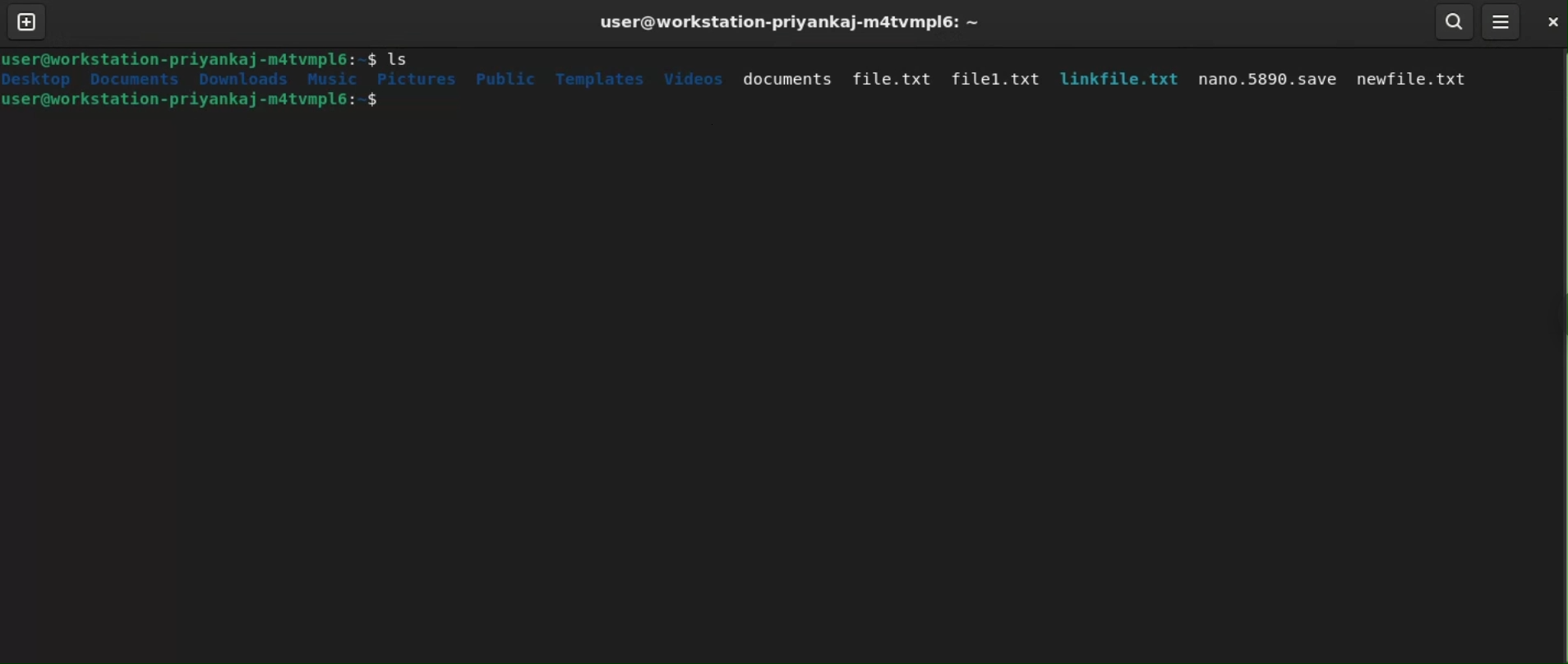 The height and width of the screenshot is (664, 1568). I want to click on documents, so click(132, 78).